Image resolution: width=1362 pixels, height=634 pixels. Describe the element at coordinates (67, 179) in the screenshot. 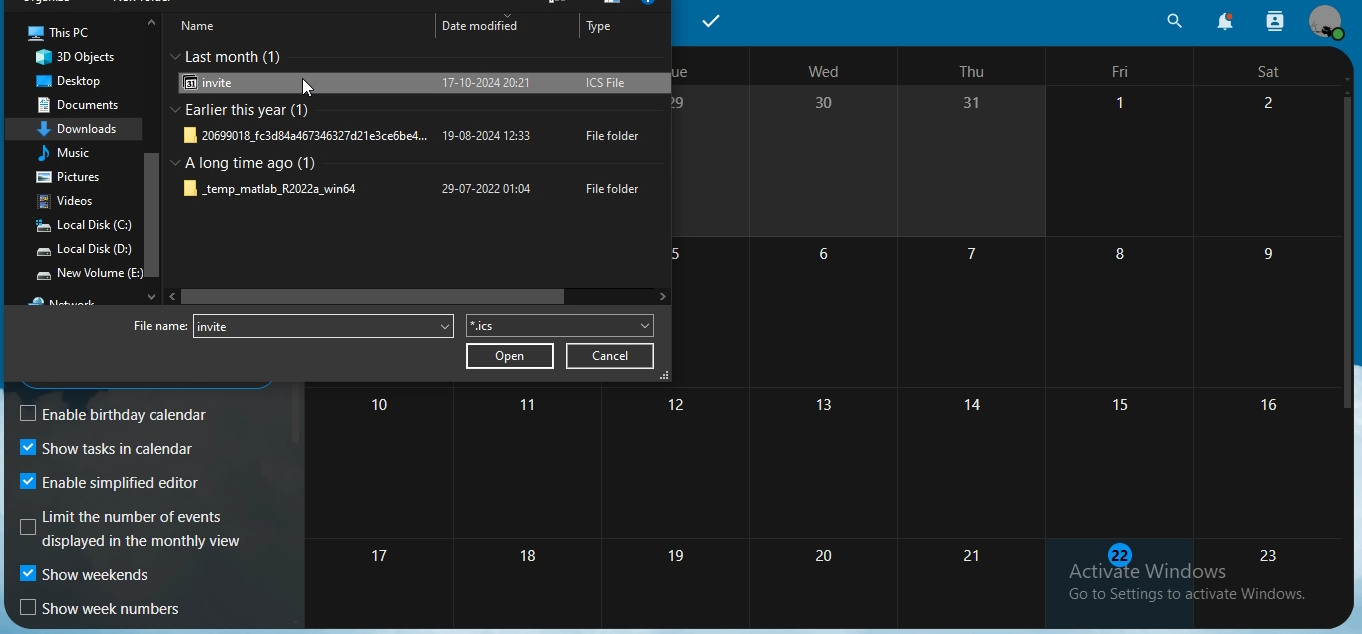

I see `pictures` at that location.